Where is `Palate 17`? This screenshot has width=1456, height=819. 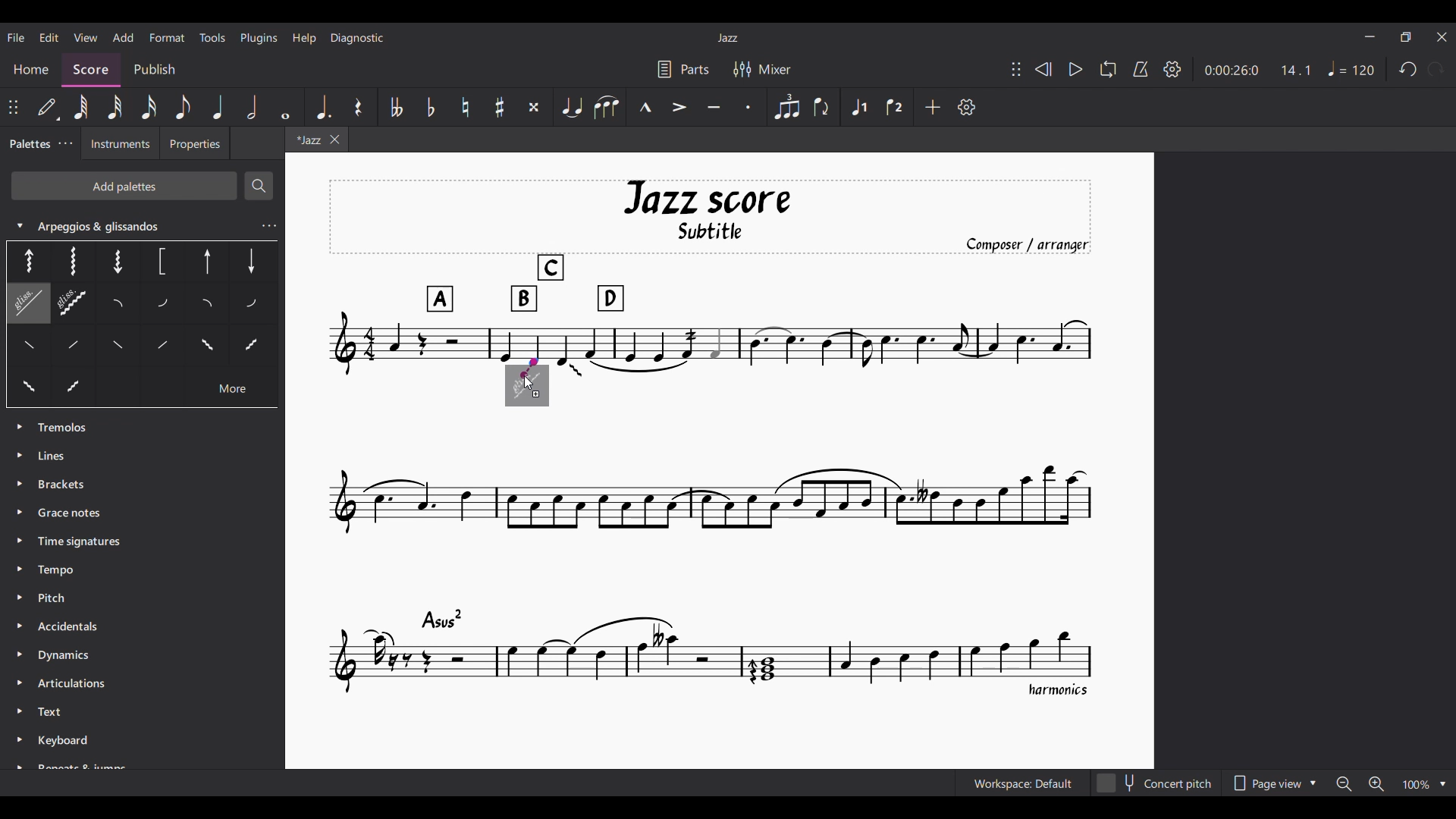 Palate 17 is located at coordinates (252, 350).